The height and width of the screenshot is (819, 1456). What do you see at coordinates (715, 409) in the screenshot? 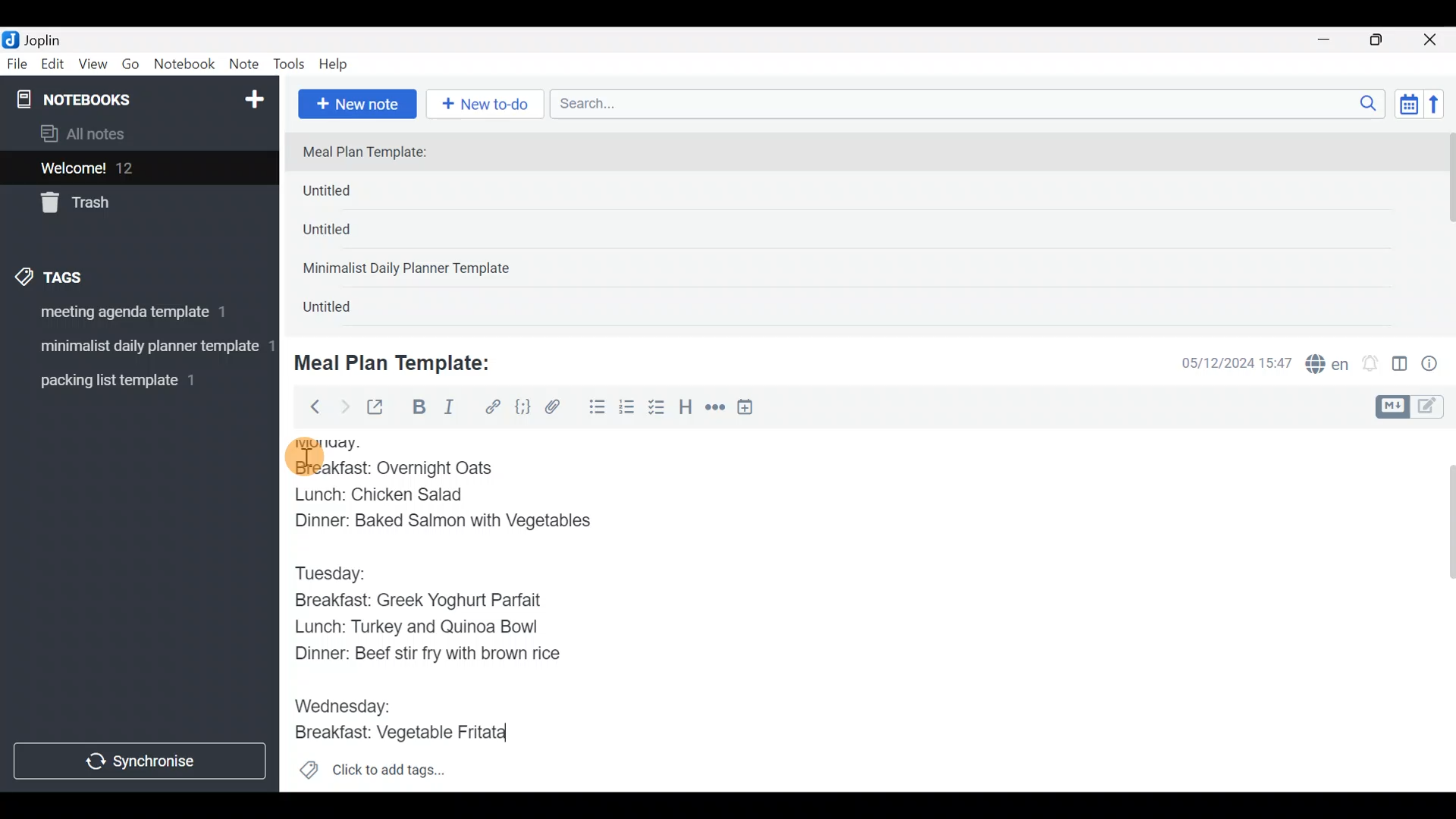
I see `Horizontal rule` at bounding box center [715, 409].